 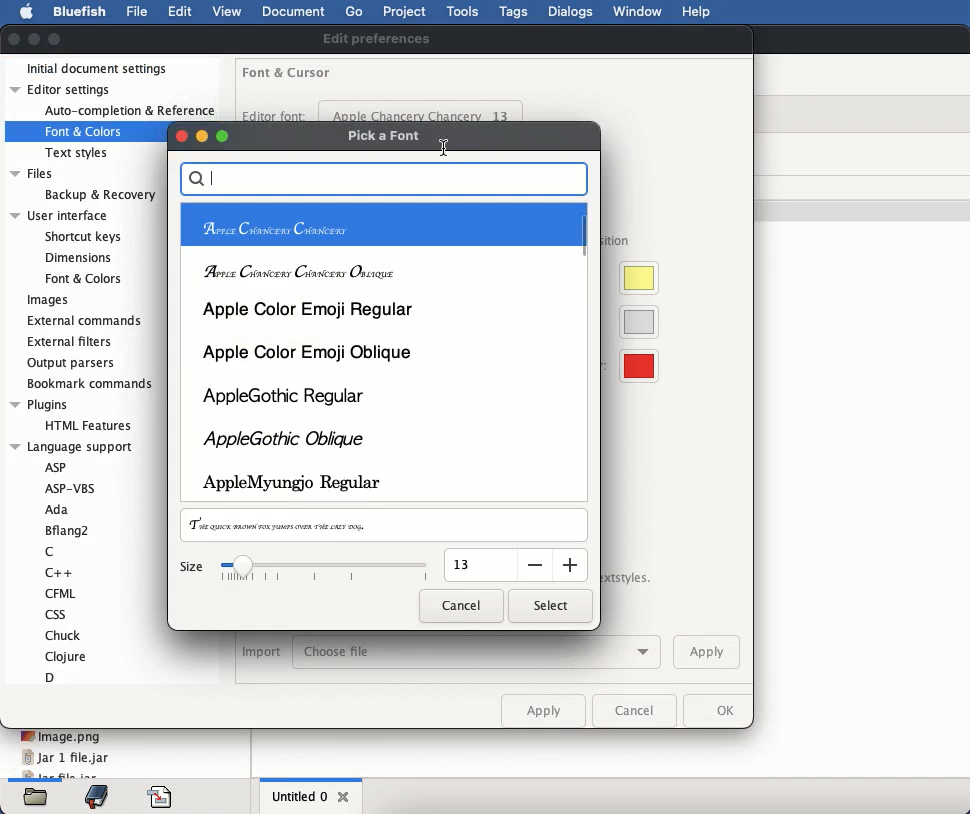 I want to click on tools, so click(x=464, y=12).